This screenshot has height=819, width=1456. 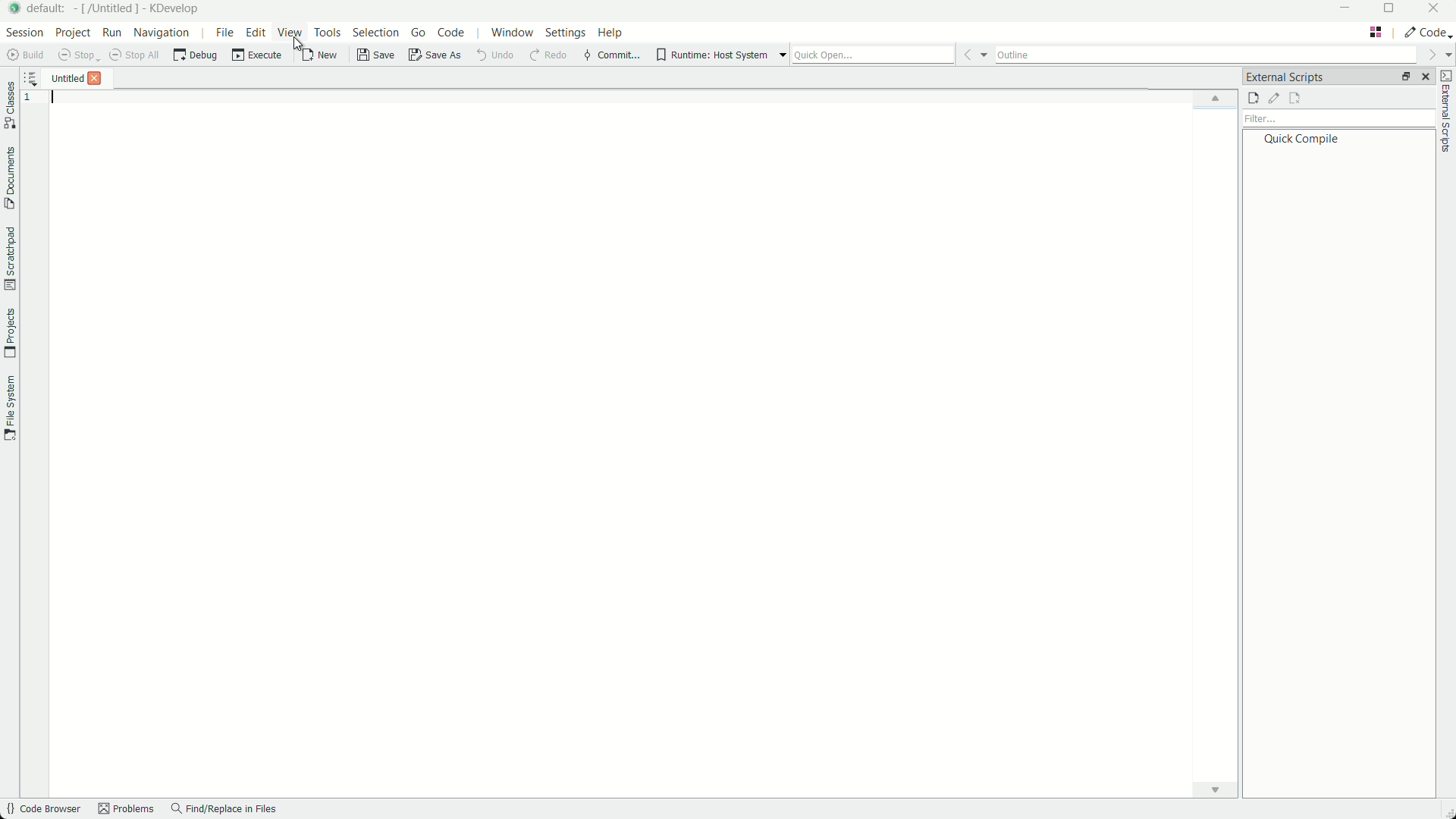 I want to click on cursor, so click(x=299, y=47).